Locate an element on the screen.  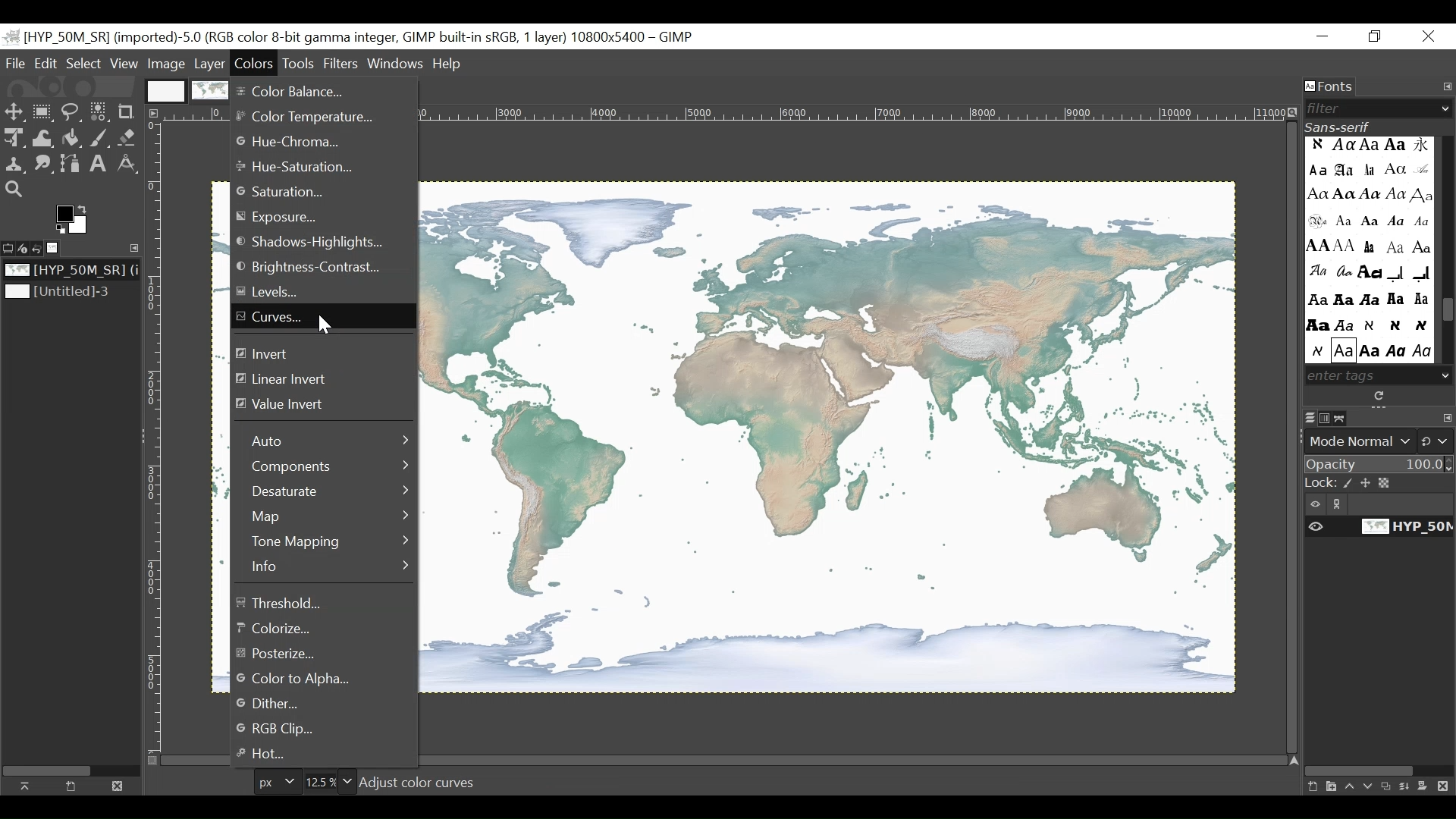
Close is located at coordinates (1429, 37).